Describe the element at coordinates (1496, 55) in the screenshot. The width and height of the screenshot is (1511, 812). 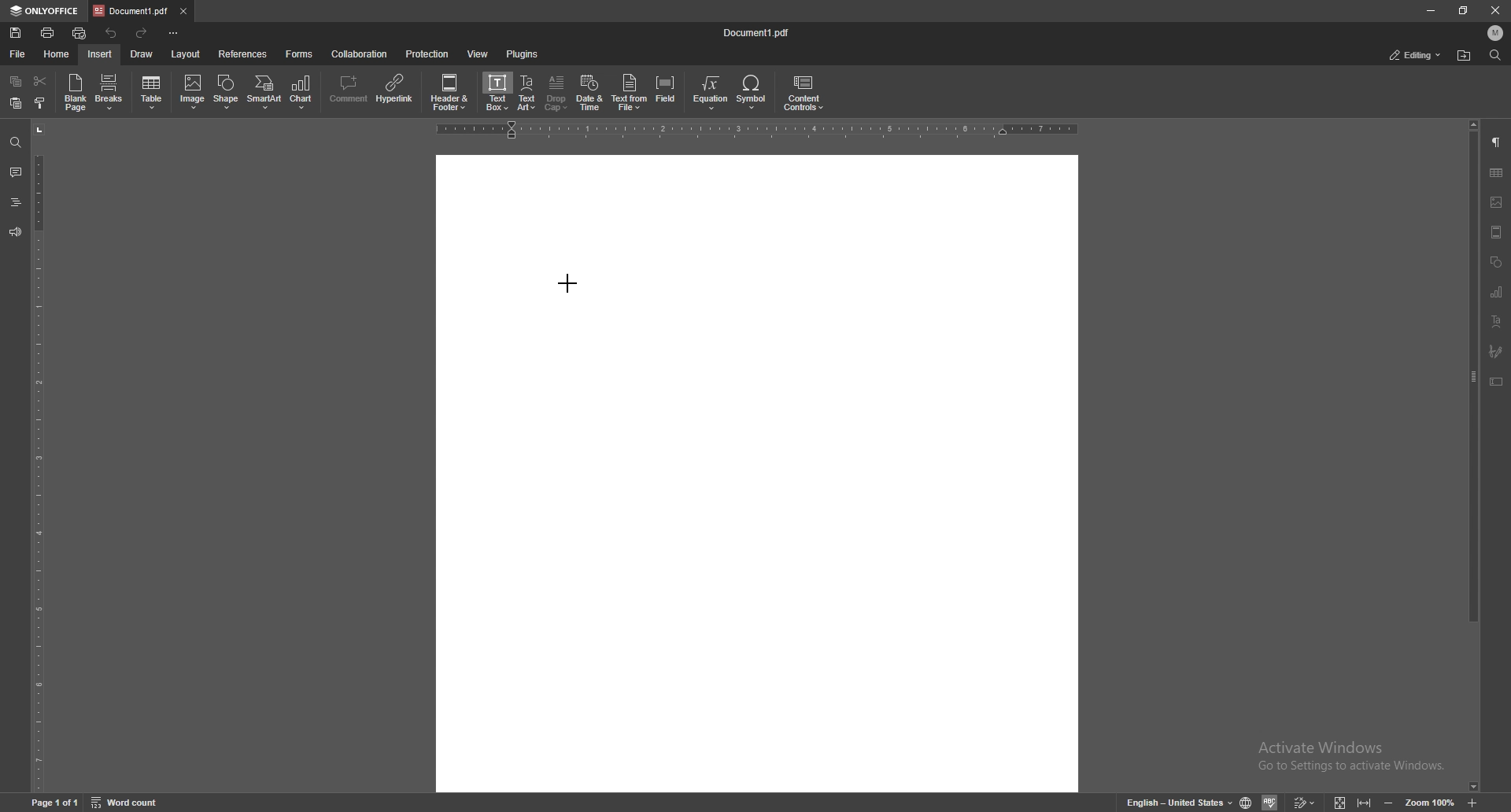
I see `find` at that location.